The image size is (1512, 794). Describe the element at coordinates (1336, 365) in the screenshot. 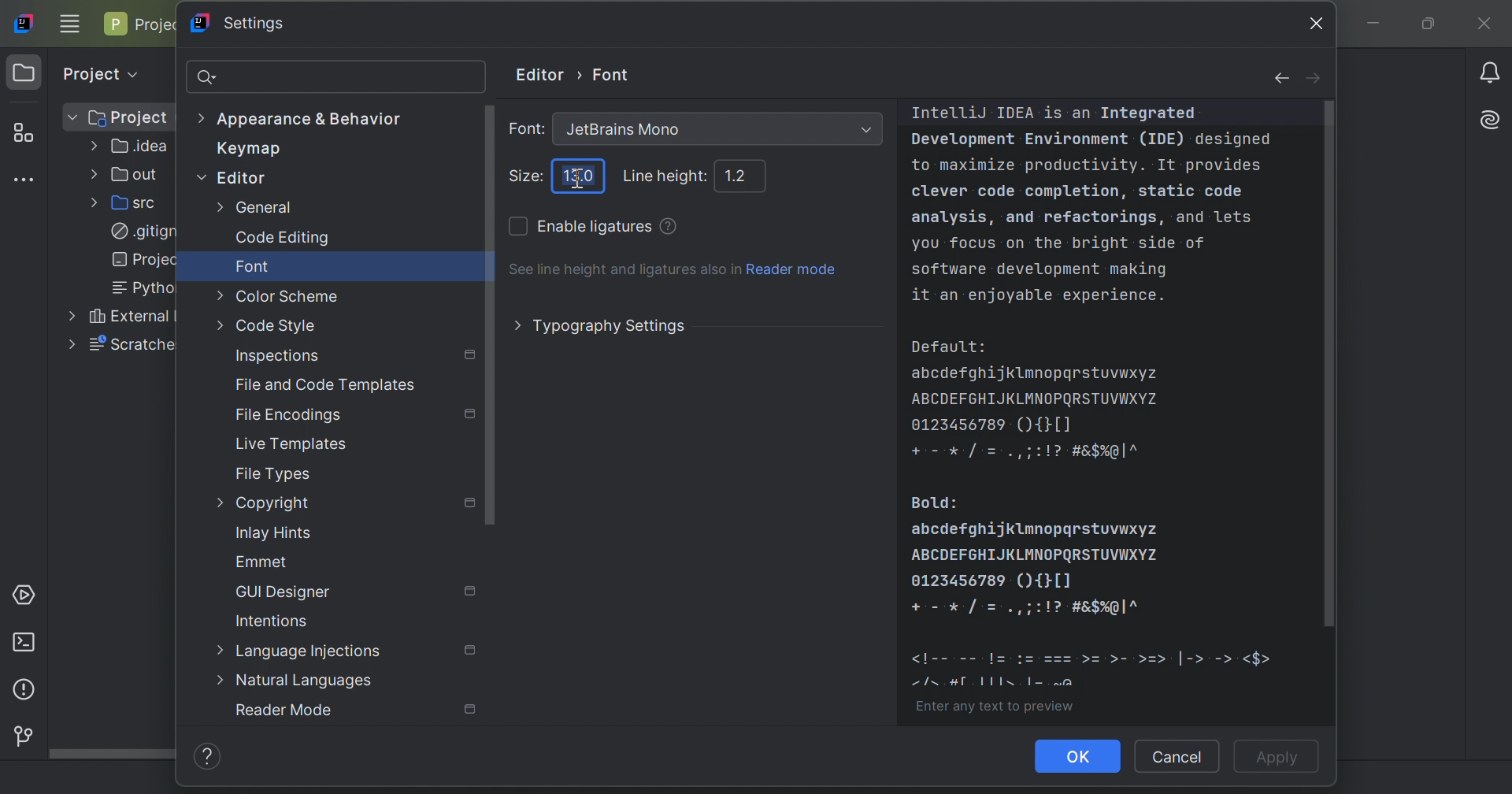

I see `scroll bar ` at that location.